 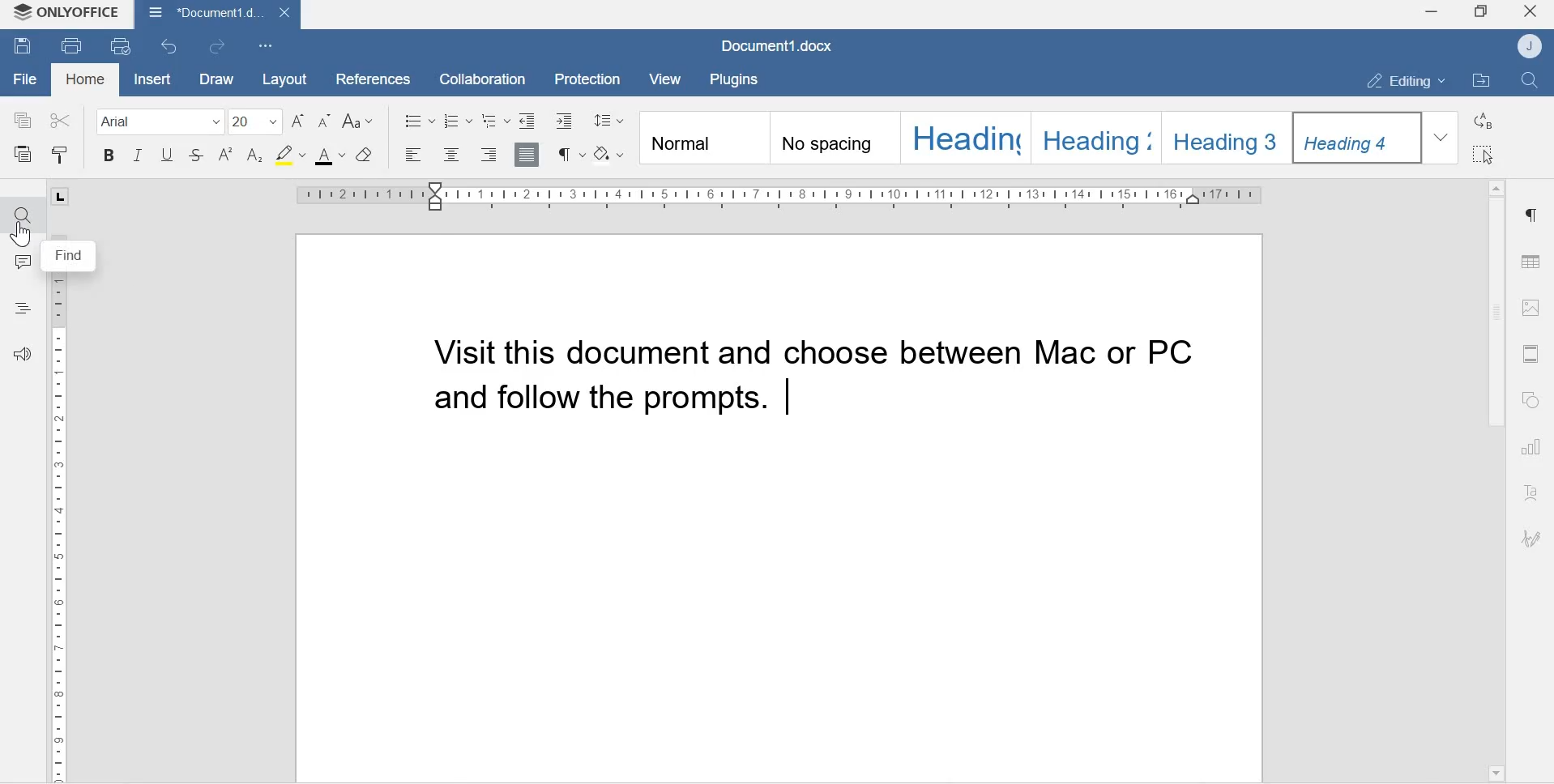 I want to click on Heading 3, so click(x=1229, y=135).